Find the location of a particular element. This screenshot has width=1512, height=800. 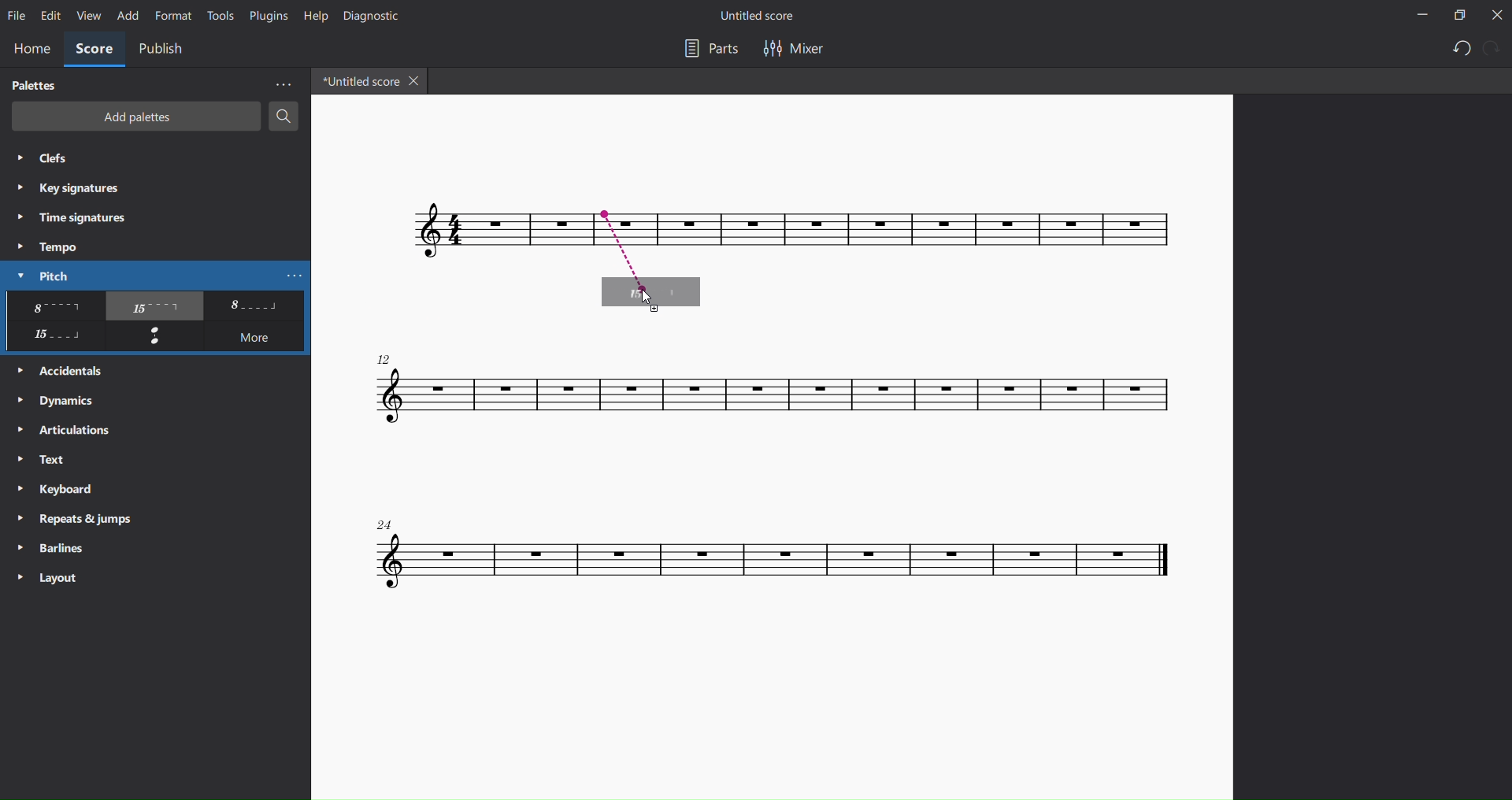

accidentals is located at coordinates (68, 369).